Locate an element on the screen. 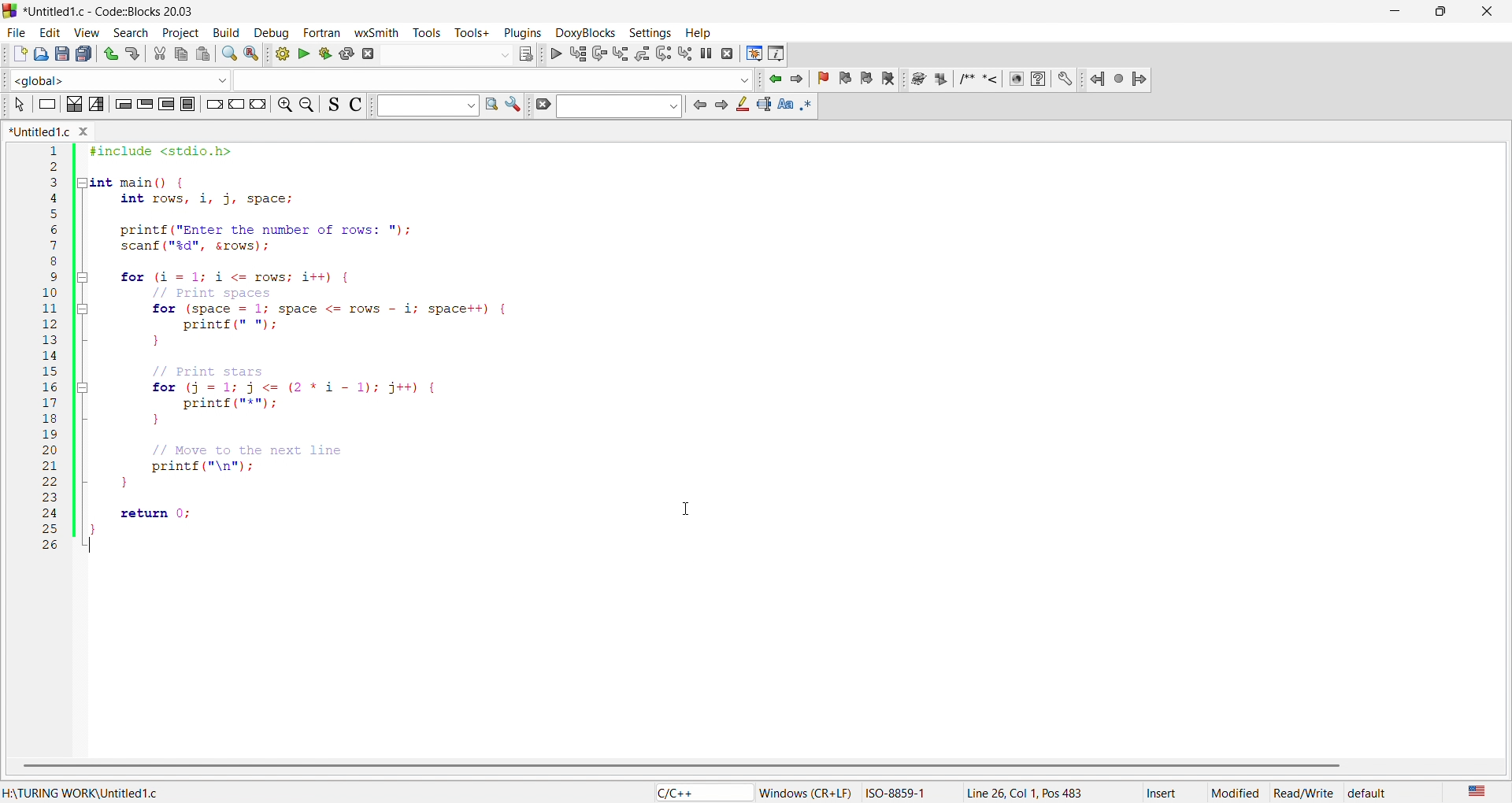 The height and width of the screenshot is (803, 1512). doxyblocks is located at coordinates (581, 30).